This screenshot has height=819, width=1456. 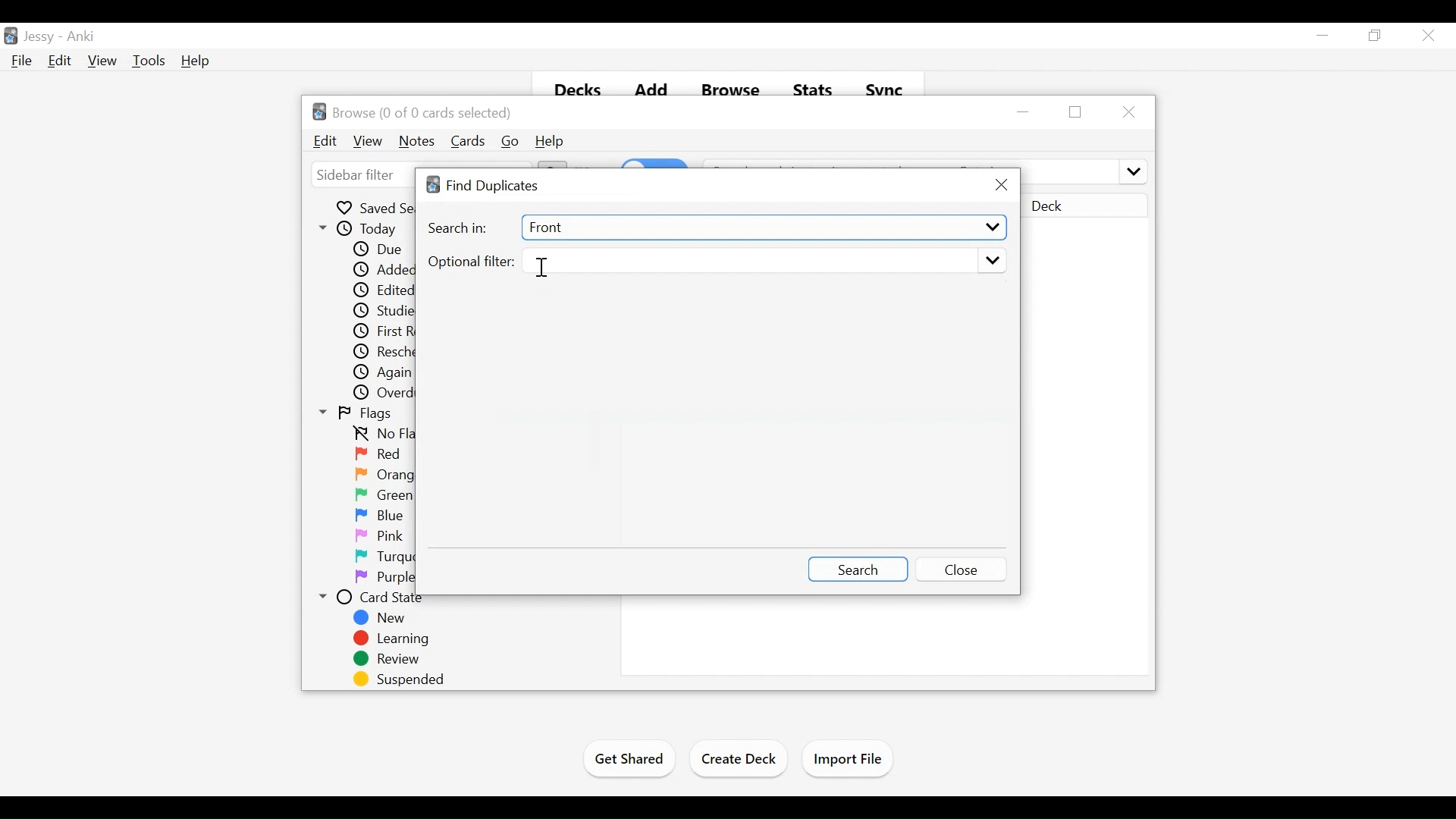 I want to click on Cards, so click(x=469, y=141).